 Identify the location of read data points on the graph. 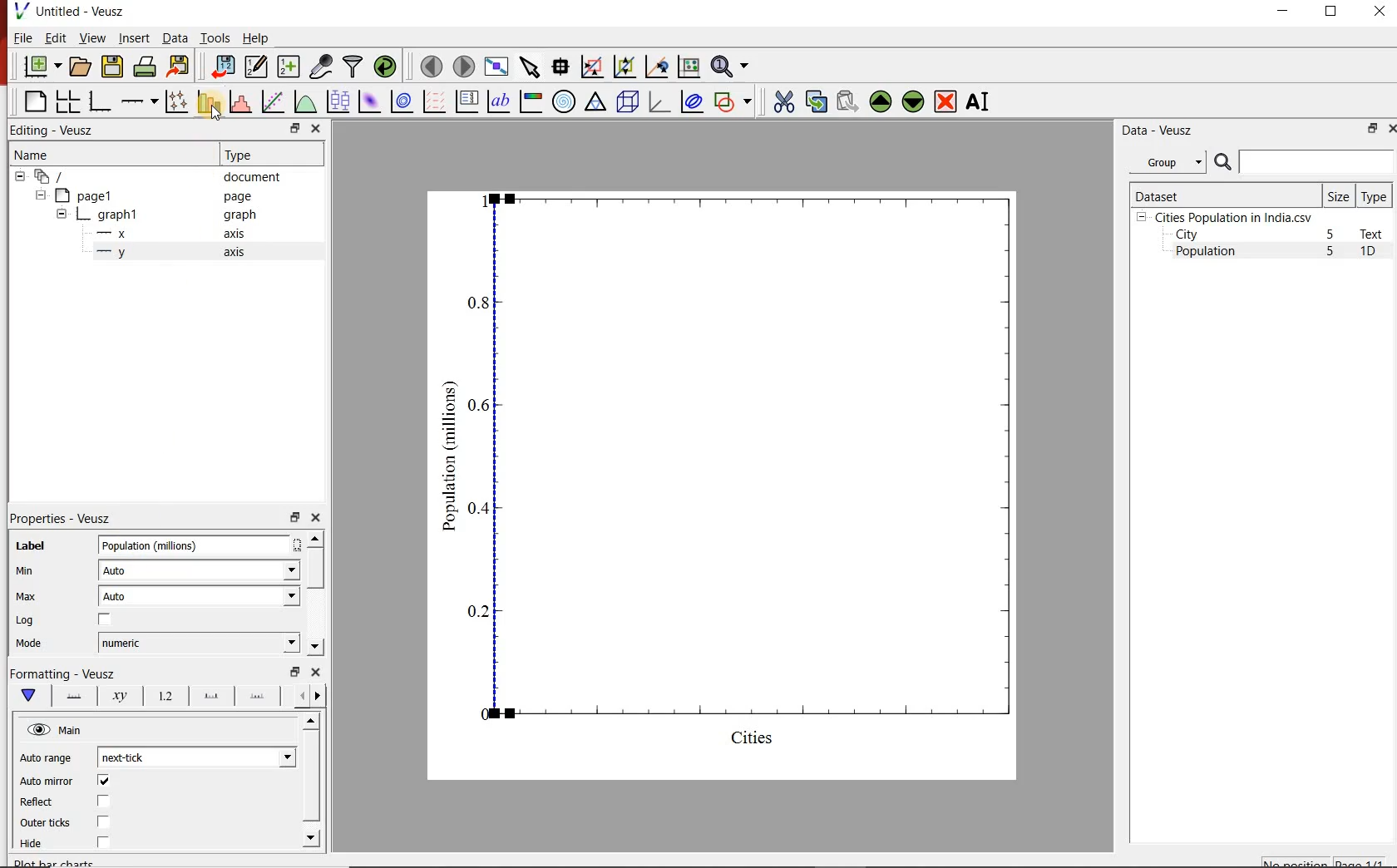
(560, 65).